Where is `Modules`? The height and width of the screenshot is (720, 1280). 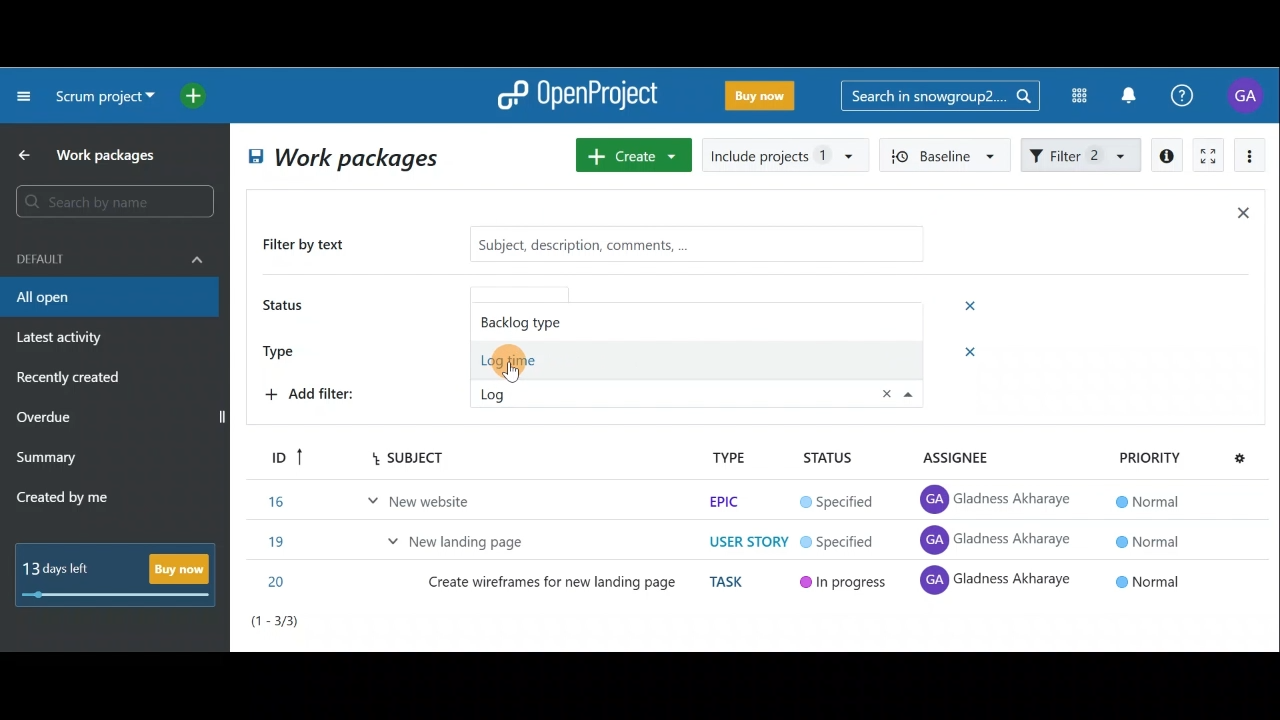
Modules is located at coordinates (1073, 96).